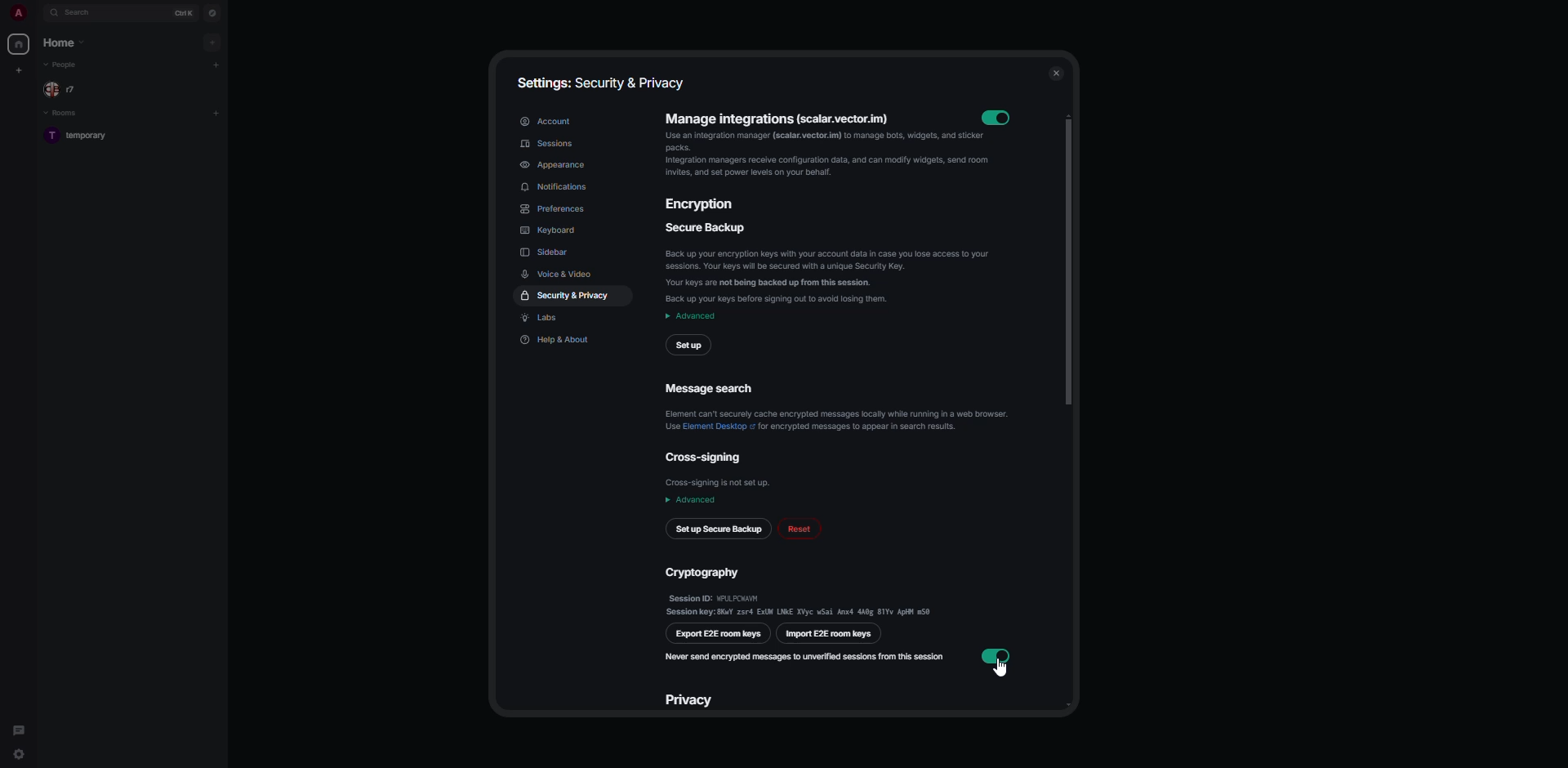  What do you see at coordinates (691, 699) in the screenshot?
I see `privacy` at bounding box center [691, 699].